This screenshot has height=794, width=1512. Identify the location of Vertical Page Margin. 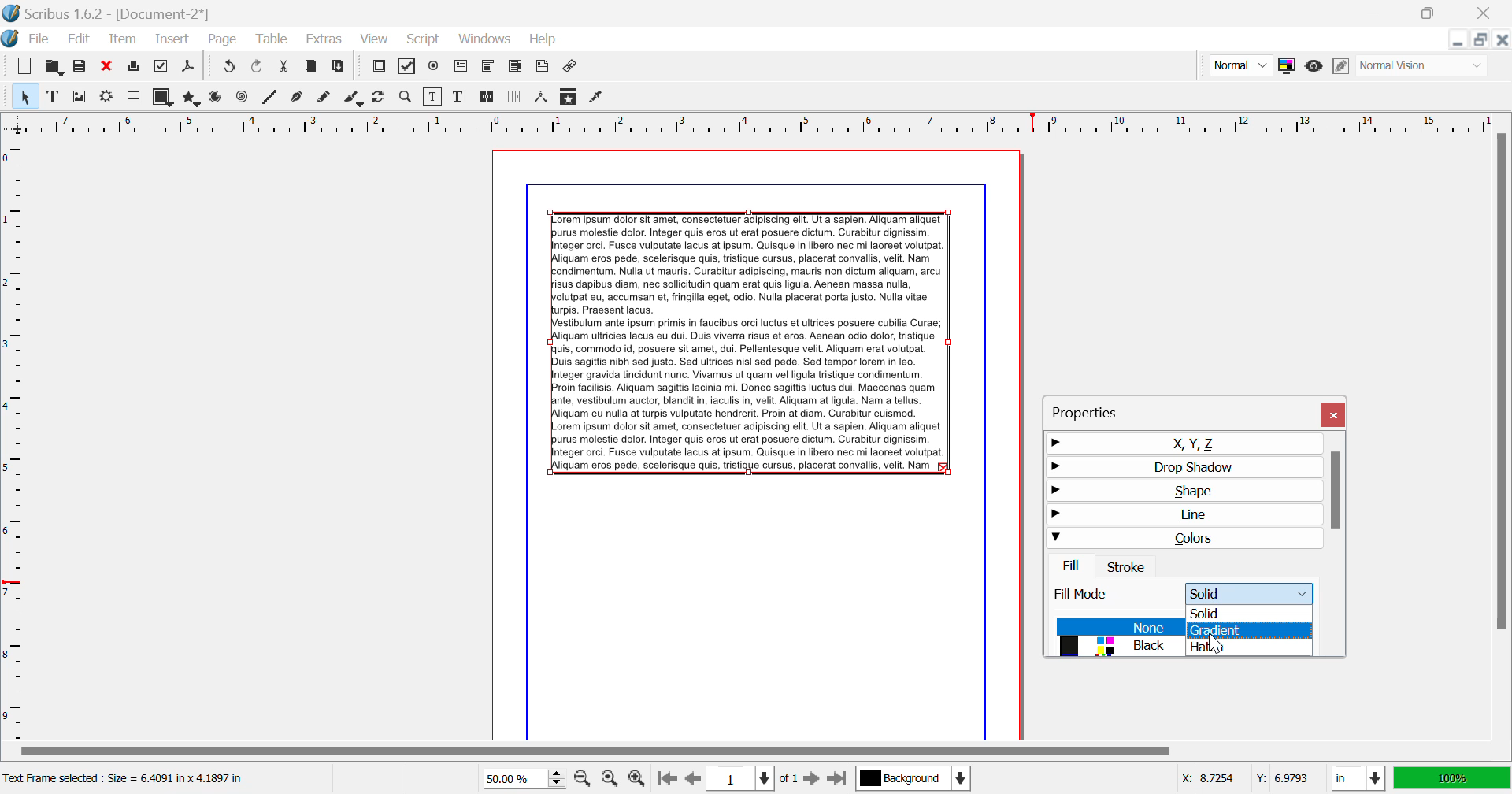
(780, 123).